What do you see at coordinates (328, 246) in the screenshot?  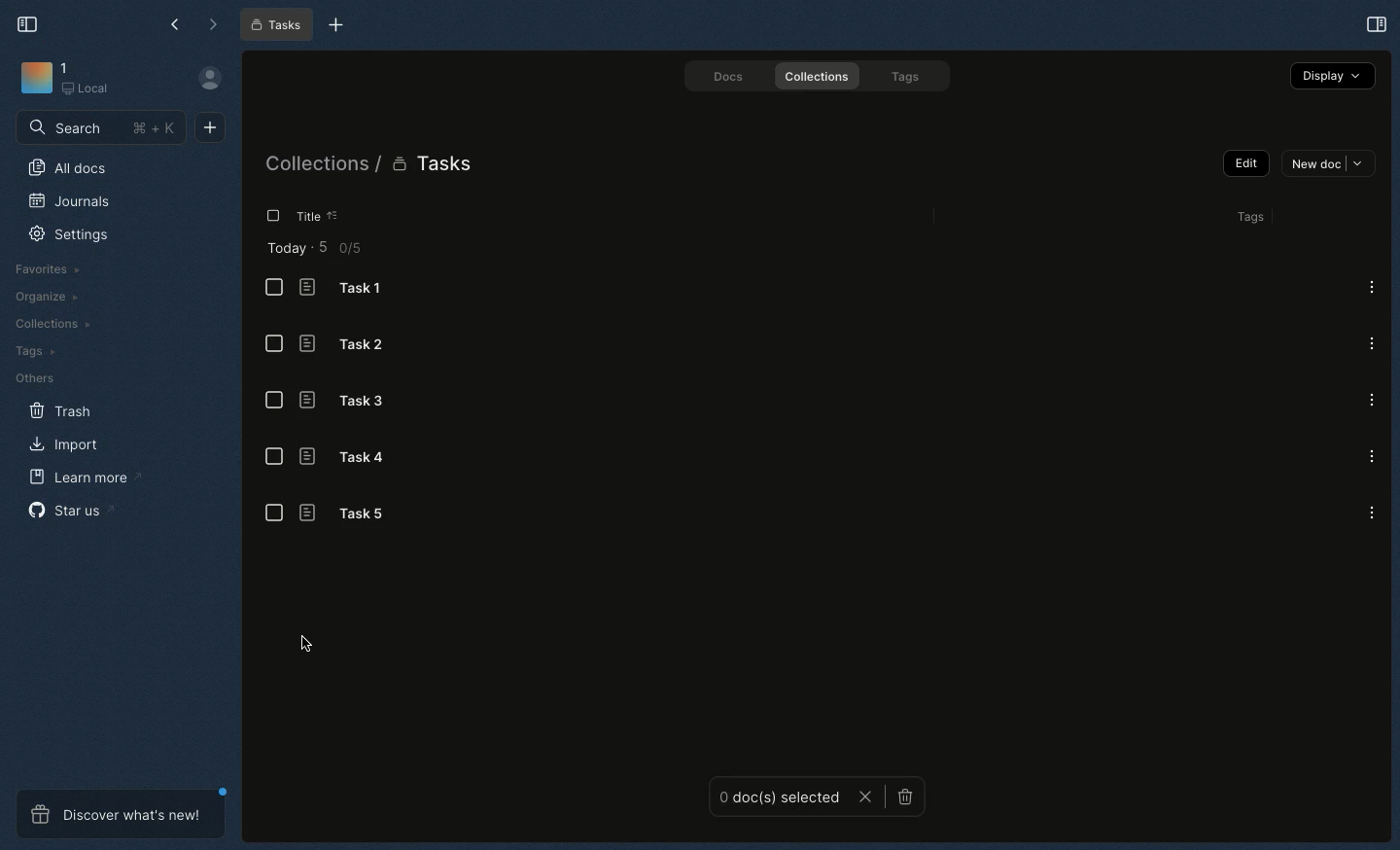 I see `5 items` at bounding box center [328, 246].